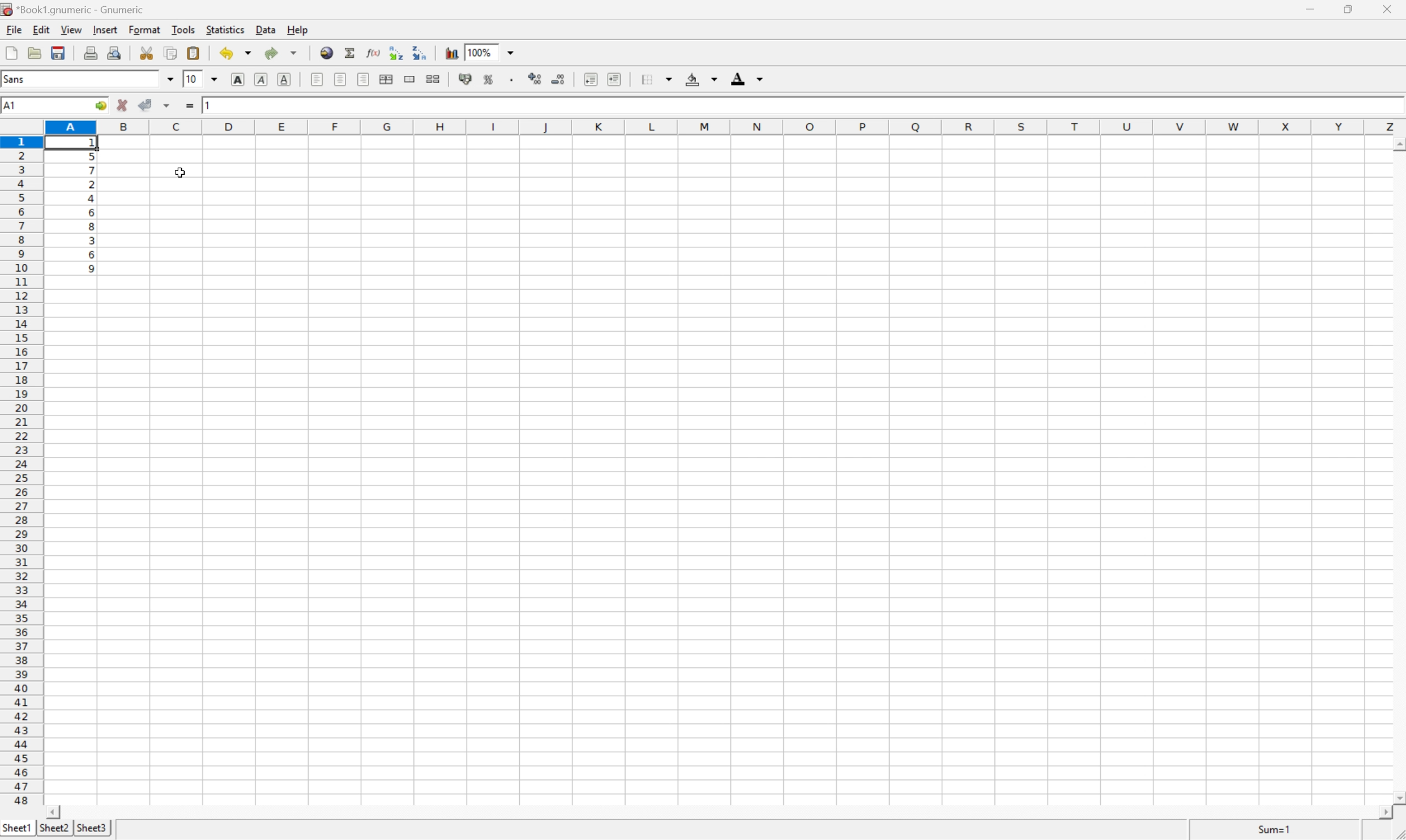 The image size is (1406, 840). What do you see at coordinates (533, 80) in the screenshot?
I see `increase number of decimals displayed` at bounding box center [533, 80].